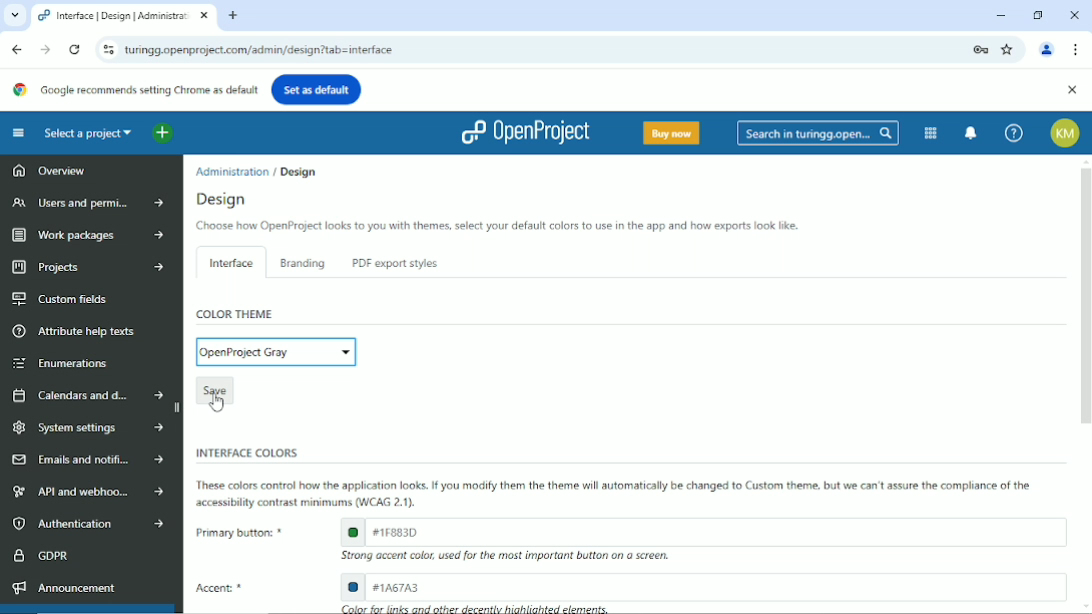 This screenshot has height=614, width=1092. Describe the element at coordinates (236, 314) in the screenshot. I see `Color theme` at that location.